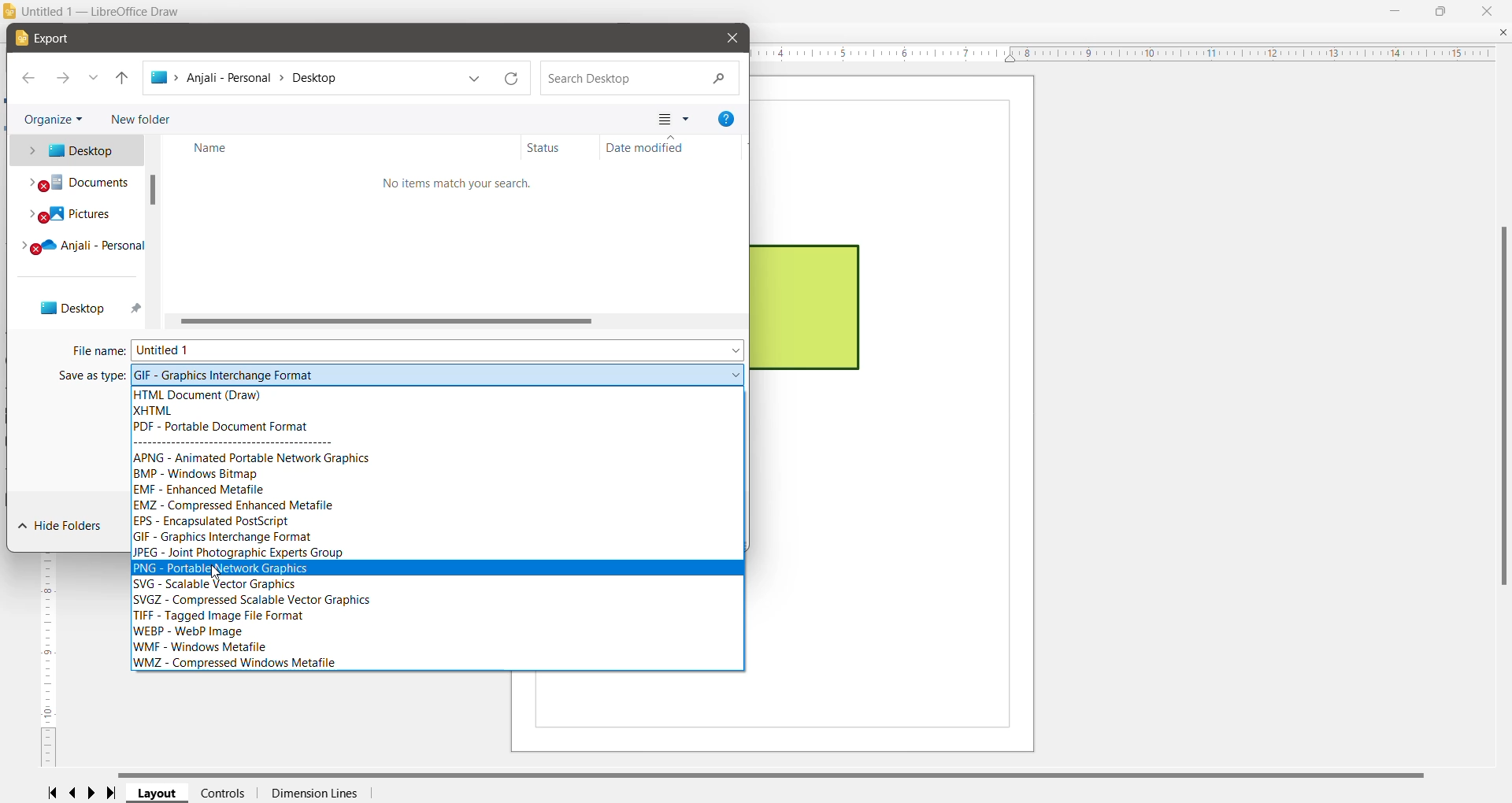 The height and width of the screenshot is (803, 1512). What do you see at coordinates (438, 373) in the screenshot?
I see `Select required file type from the list` at bounding box center [438, 373].